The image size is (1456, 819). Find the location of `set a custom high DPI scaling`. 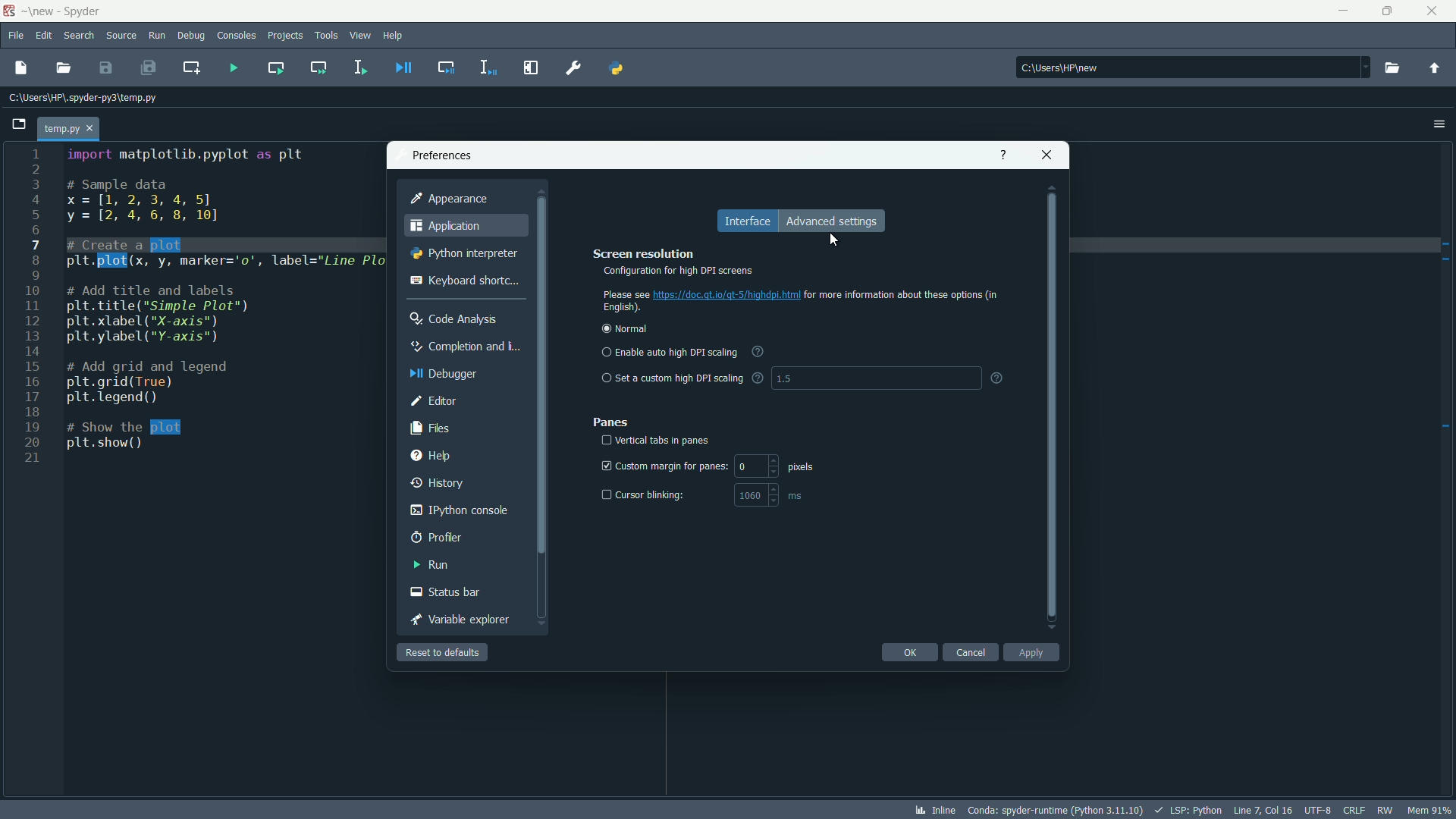

set a custom high DPI scaling is located at coordinates (672, 378).